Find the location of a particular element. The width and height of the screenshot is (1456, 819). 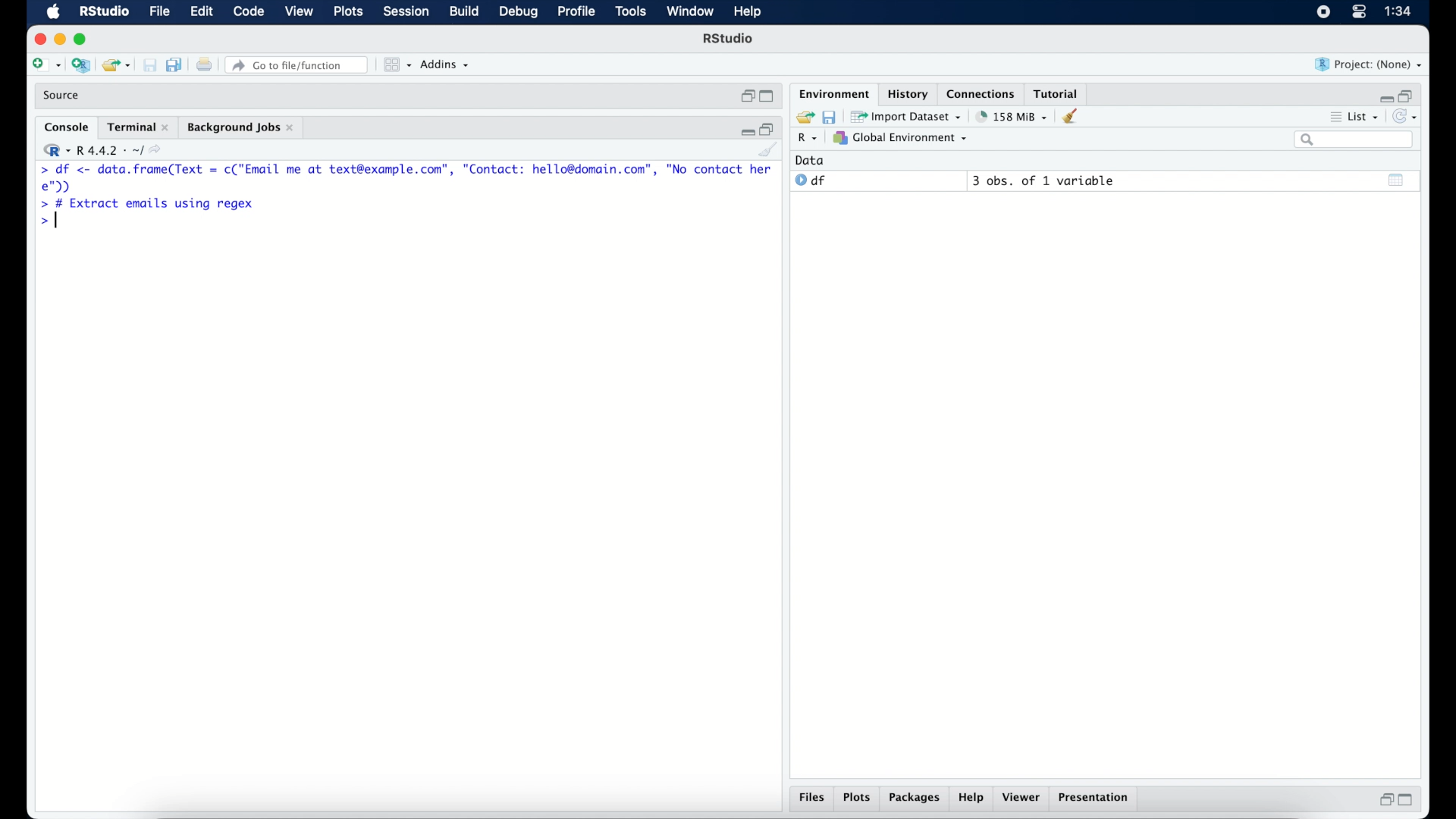

help is located at coordinates (972, 799).